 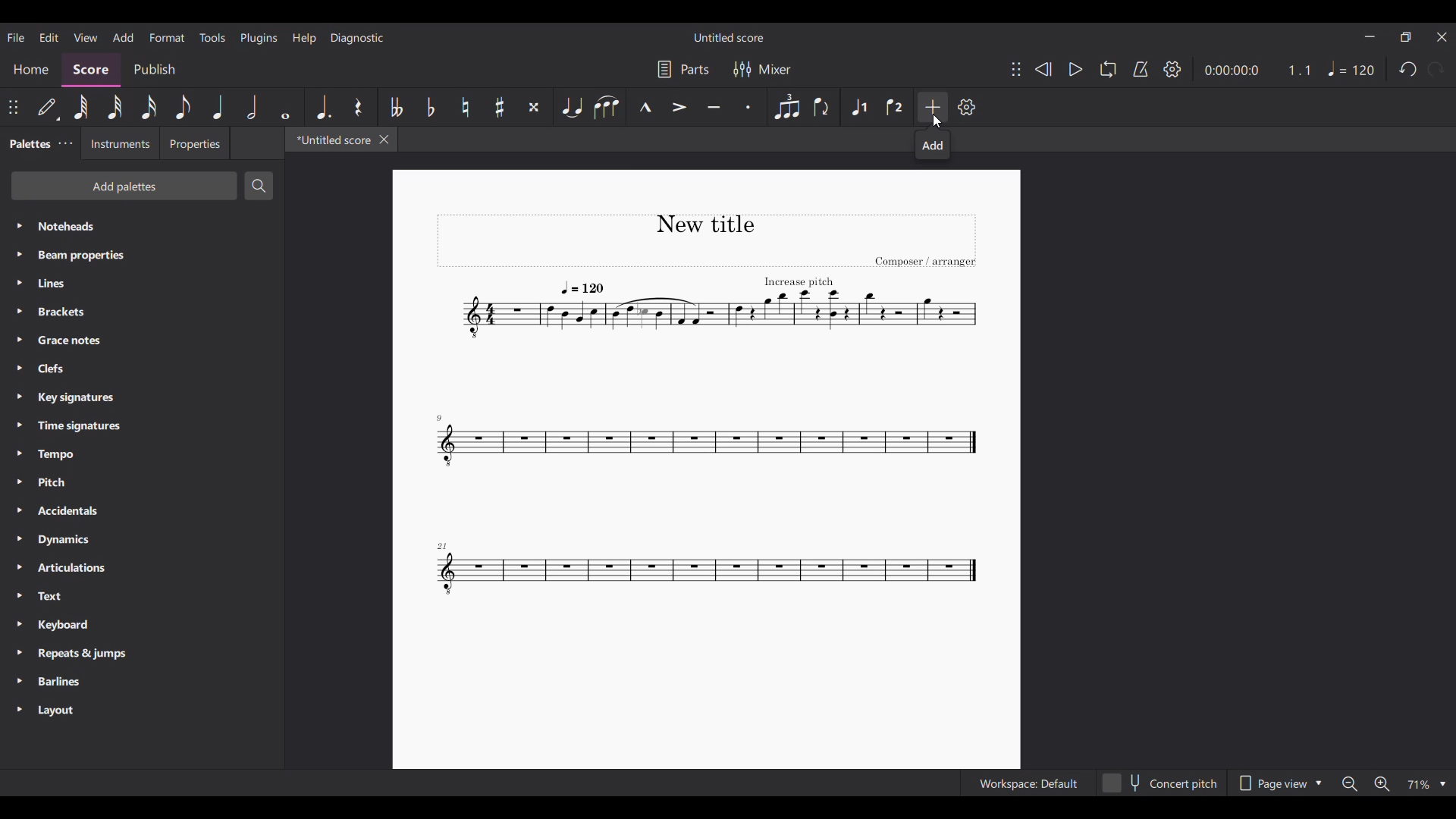 I want to click on Plugins menu, so click(x=259, y=38).